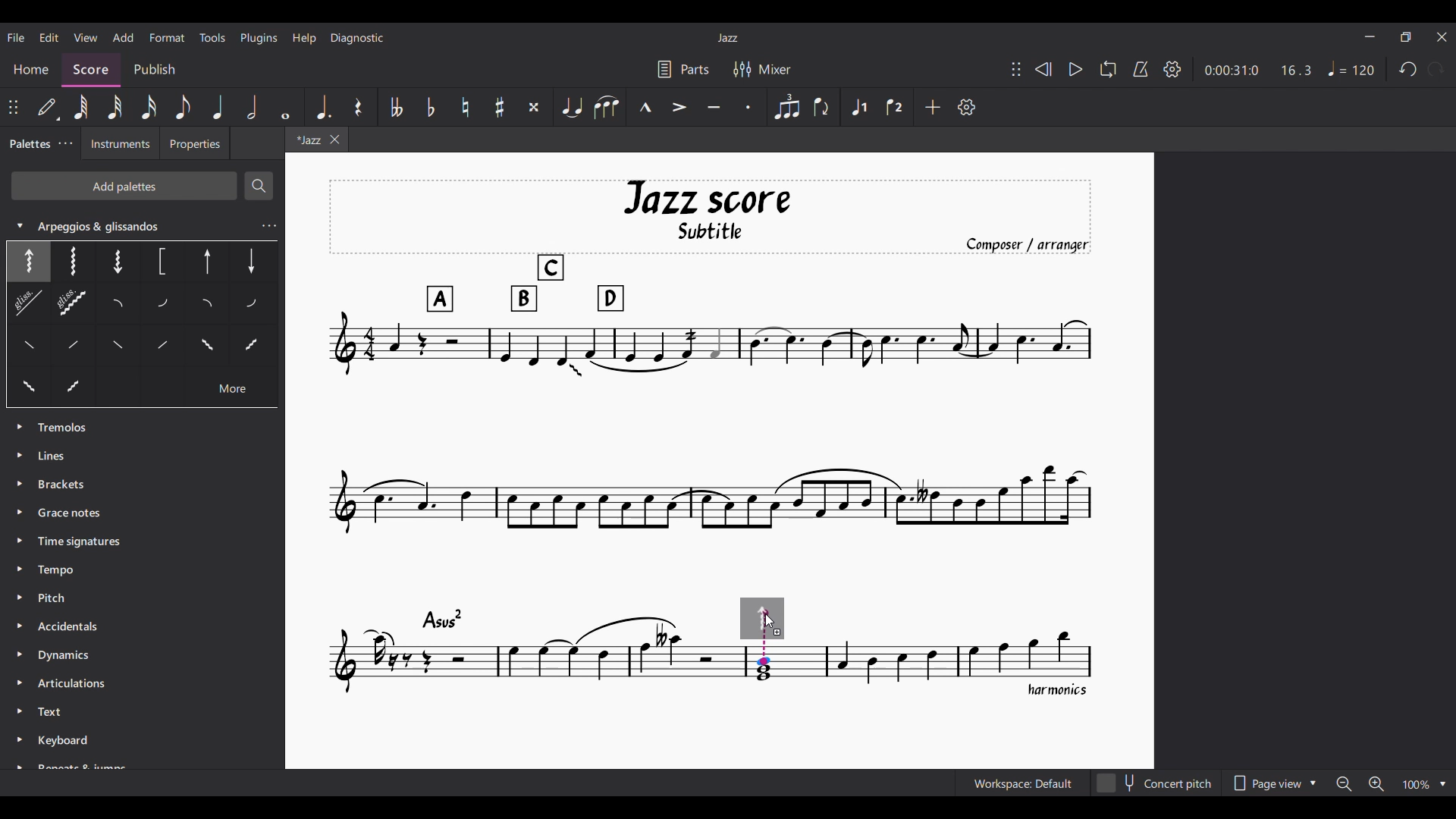  What do you see at coordinates (148, 107) in the screenshot?
I see `16th note` at bounding box center [148, 107].